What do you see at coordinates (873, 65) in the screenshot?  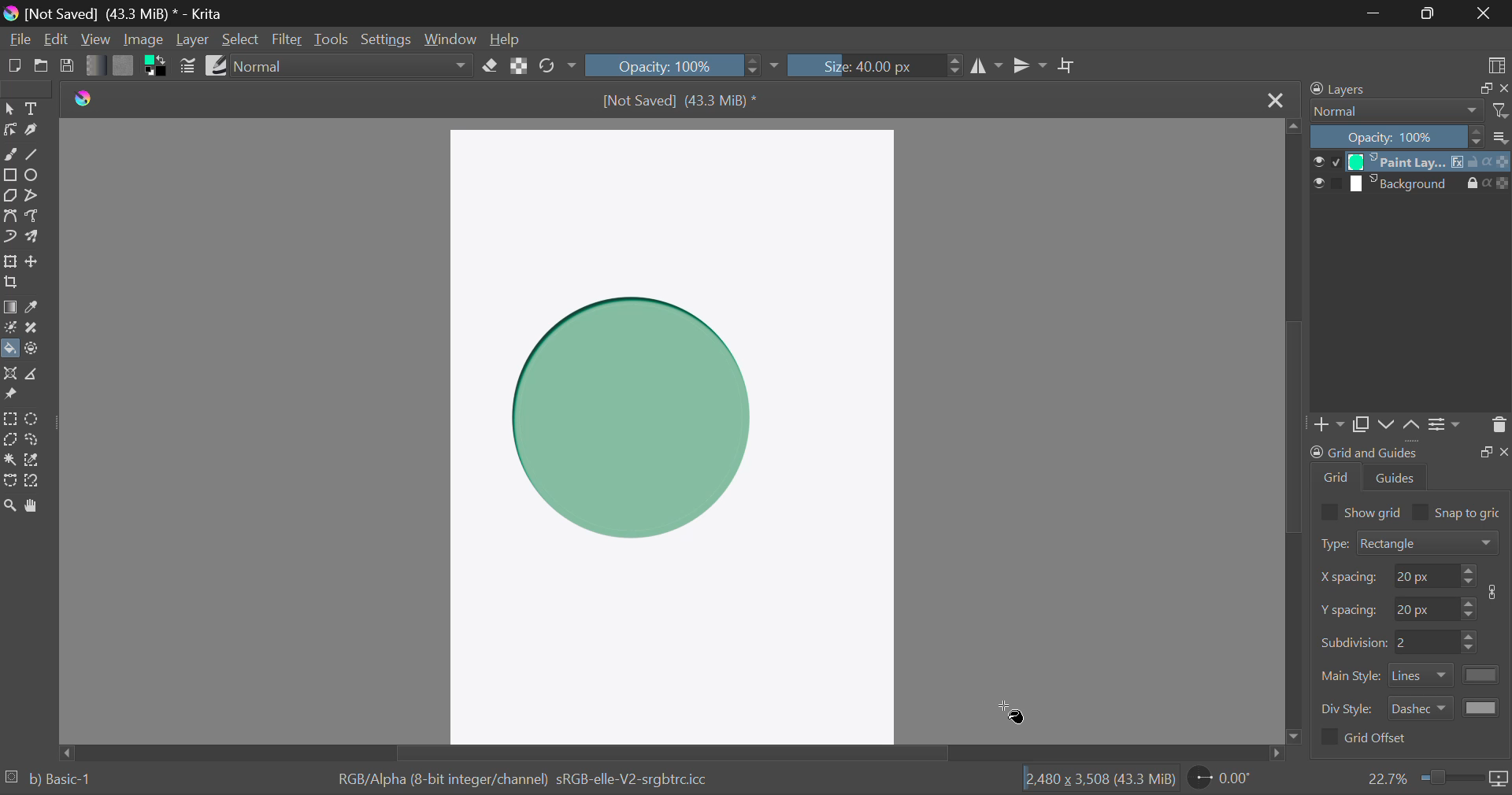 I see `Brush Size` at bounding box center [873, 65].